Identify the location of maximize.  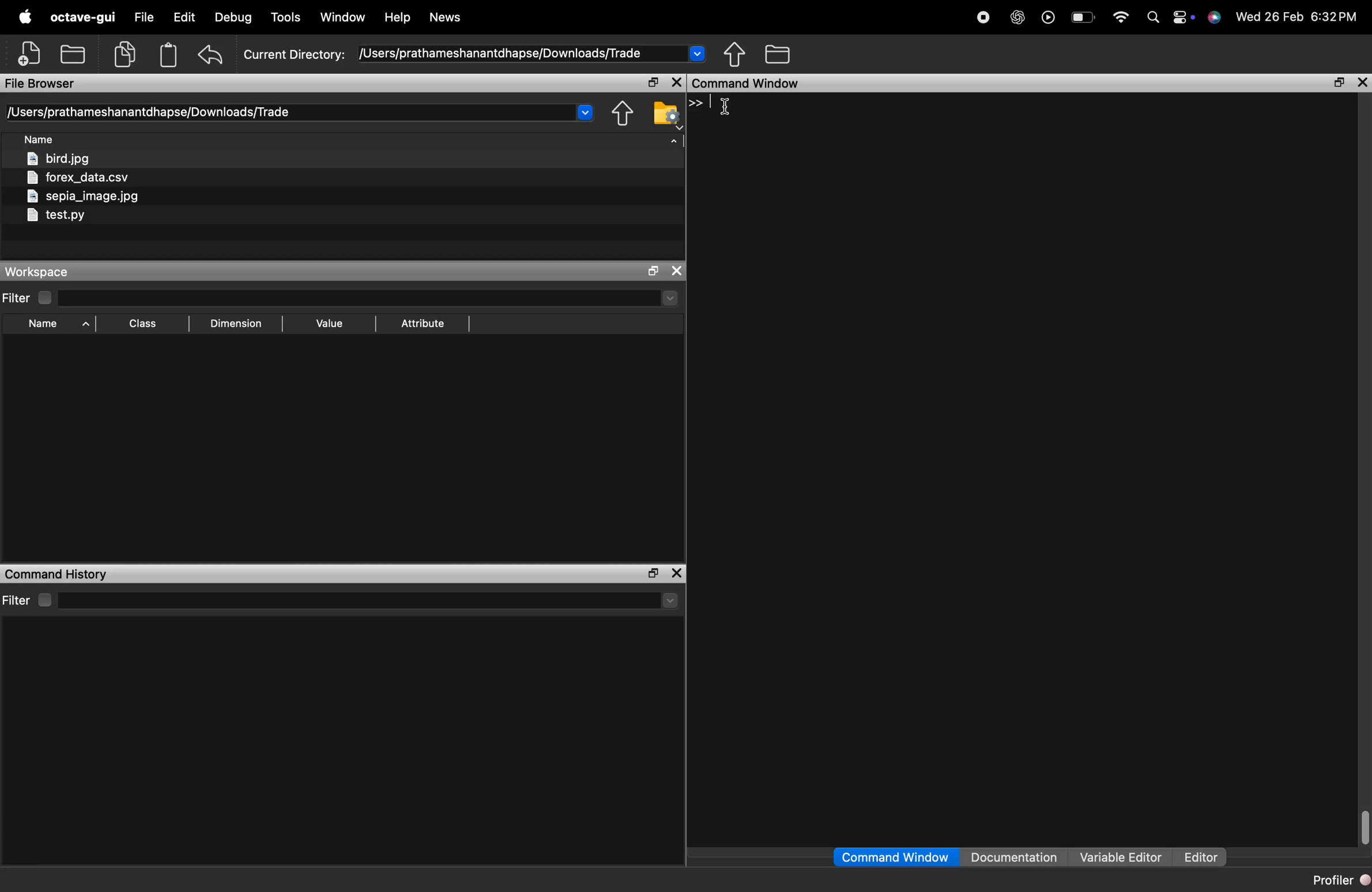
(1337, 83).